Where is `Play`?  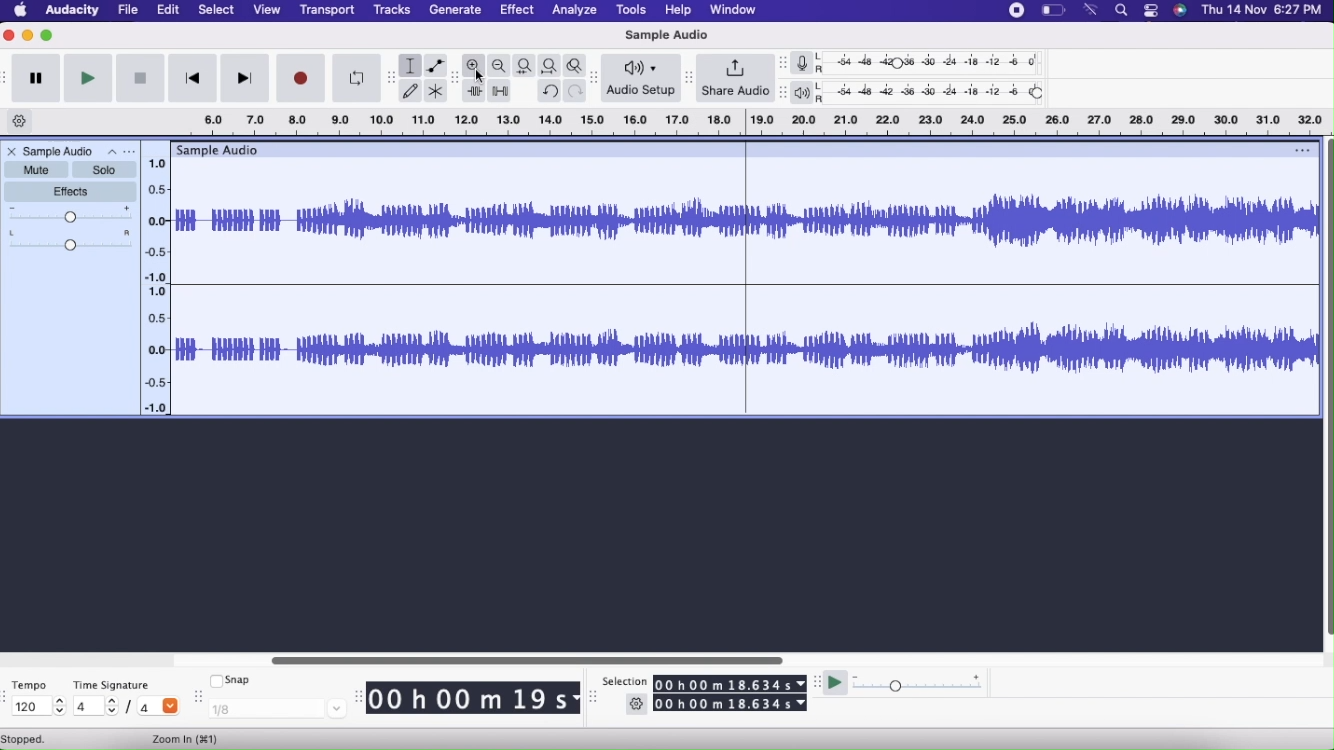
Play is located at coordinates (89, 79).